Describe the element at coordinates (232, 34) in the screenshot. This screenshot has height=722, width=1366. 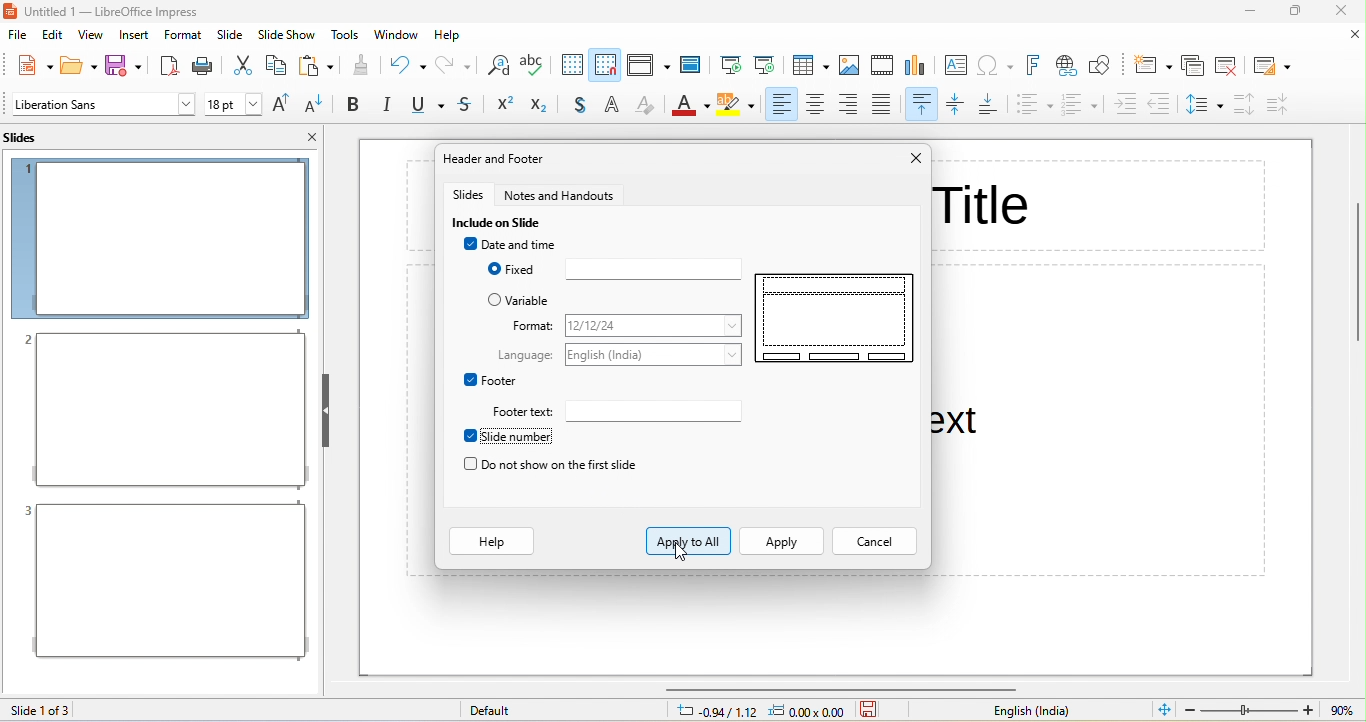
I see `slide` at that location.